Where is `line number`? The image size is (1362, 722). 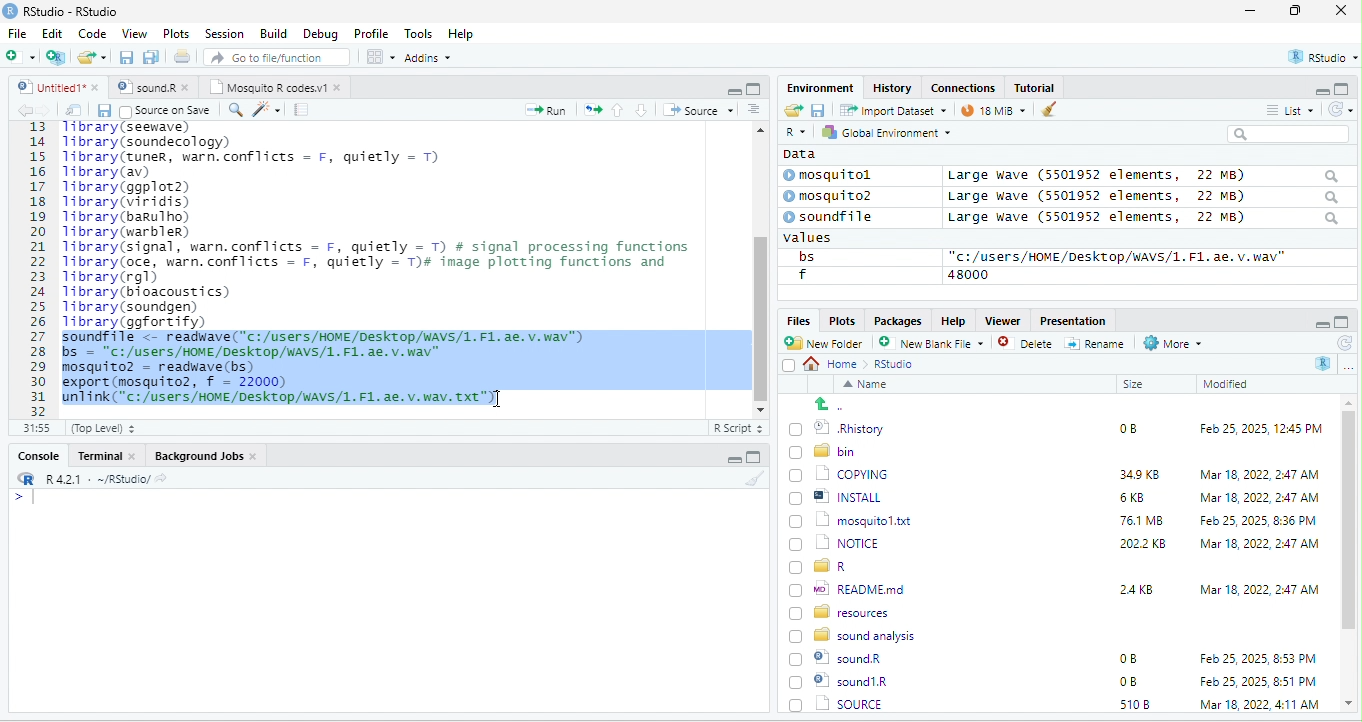 line number is located at coordinates (40, 268).